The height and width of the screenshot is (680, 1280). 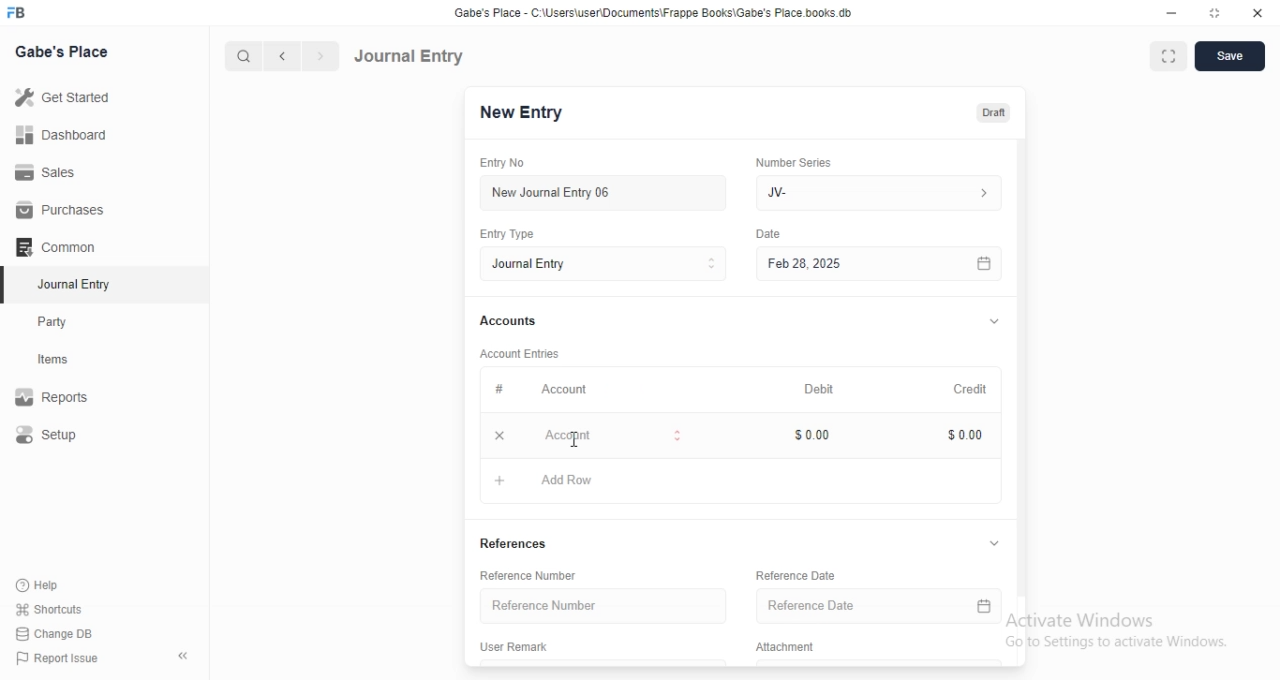 I want to click on previous, so click(x=279, y=56).